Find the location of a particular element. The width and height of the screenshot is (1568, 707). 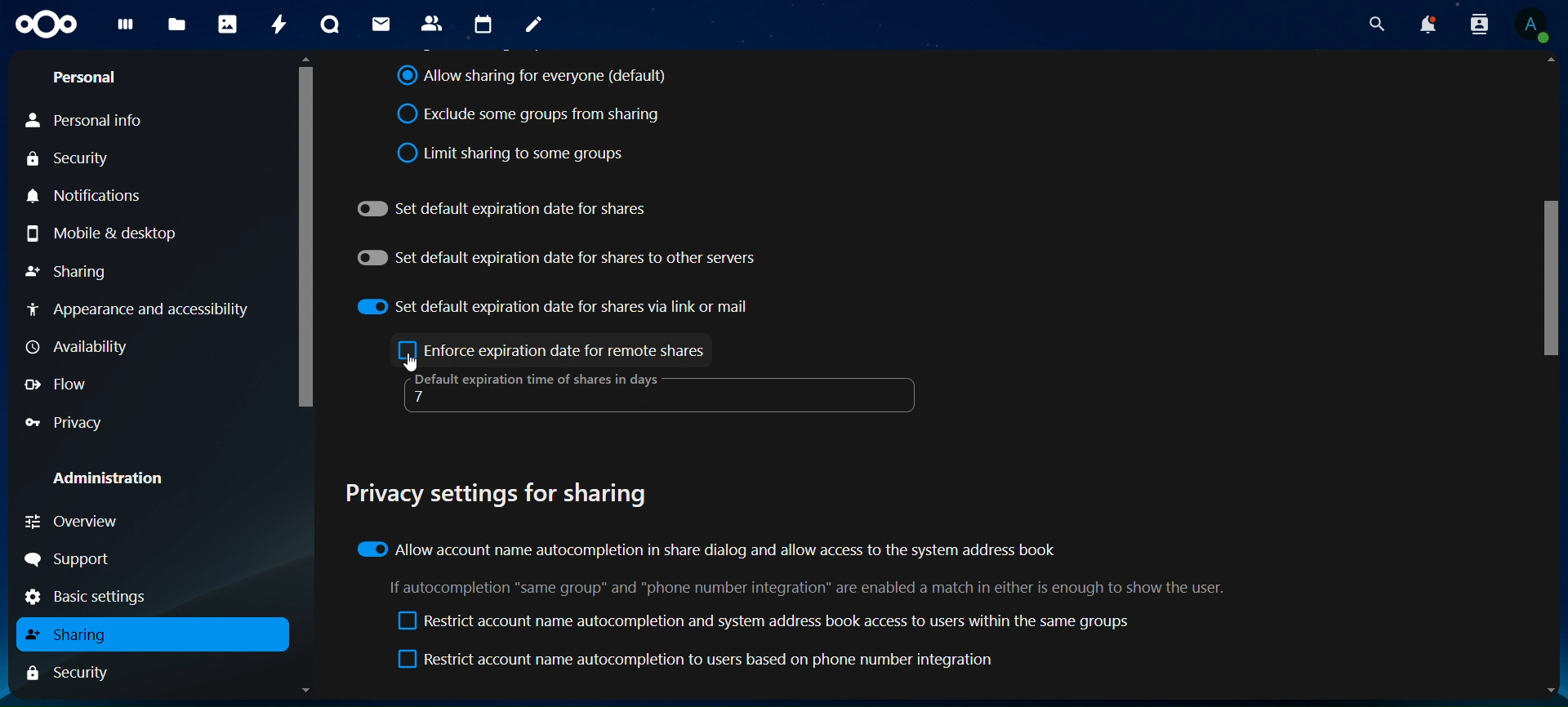

support is located at coordinates (72, 559).